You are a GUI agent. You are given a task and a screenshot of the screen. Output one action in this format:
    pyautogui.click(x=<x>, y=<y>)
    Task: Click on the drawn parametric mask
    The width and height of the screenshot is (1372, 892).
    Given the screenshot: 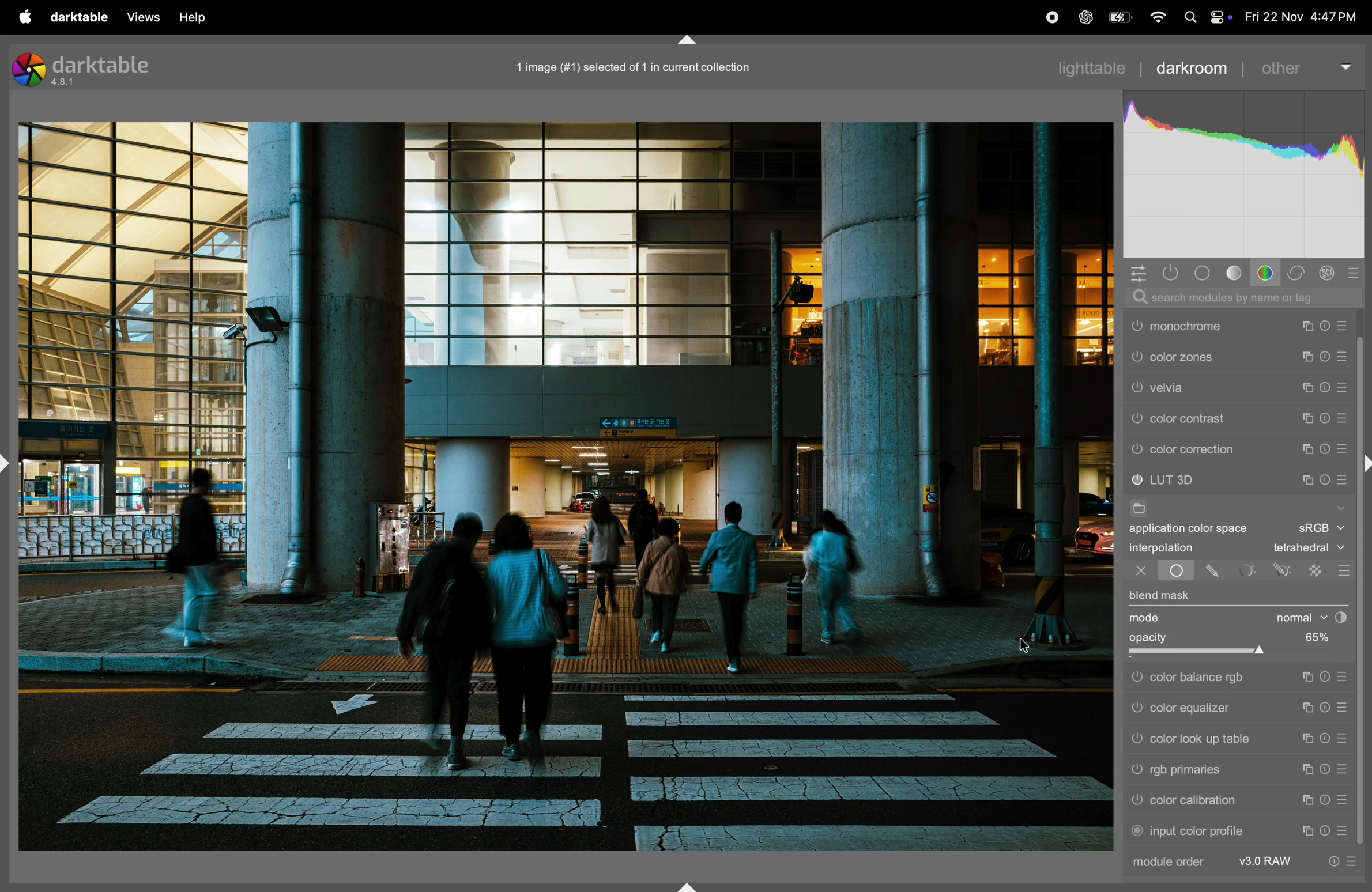 What is the action you would take?
    pyautogui.click(x=1283, y=570)
    